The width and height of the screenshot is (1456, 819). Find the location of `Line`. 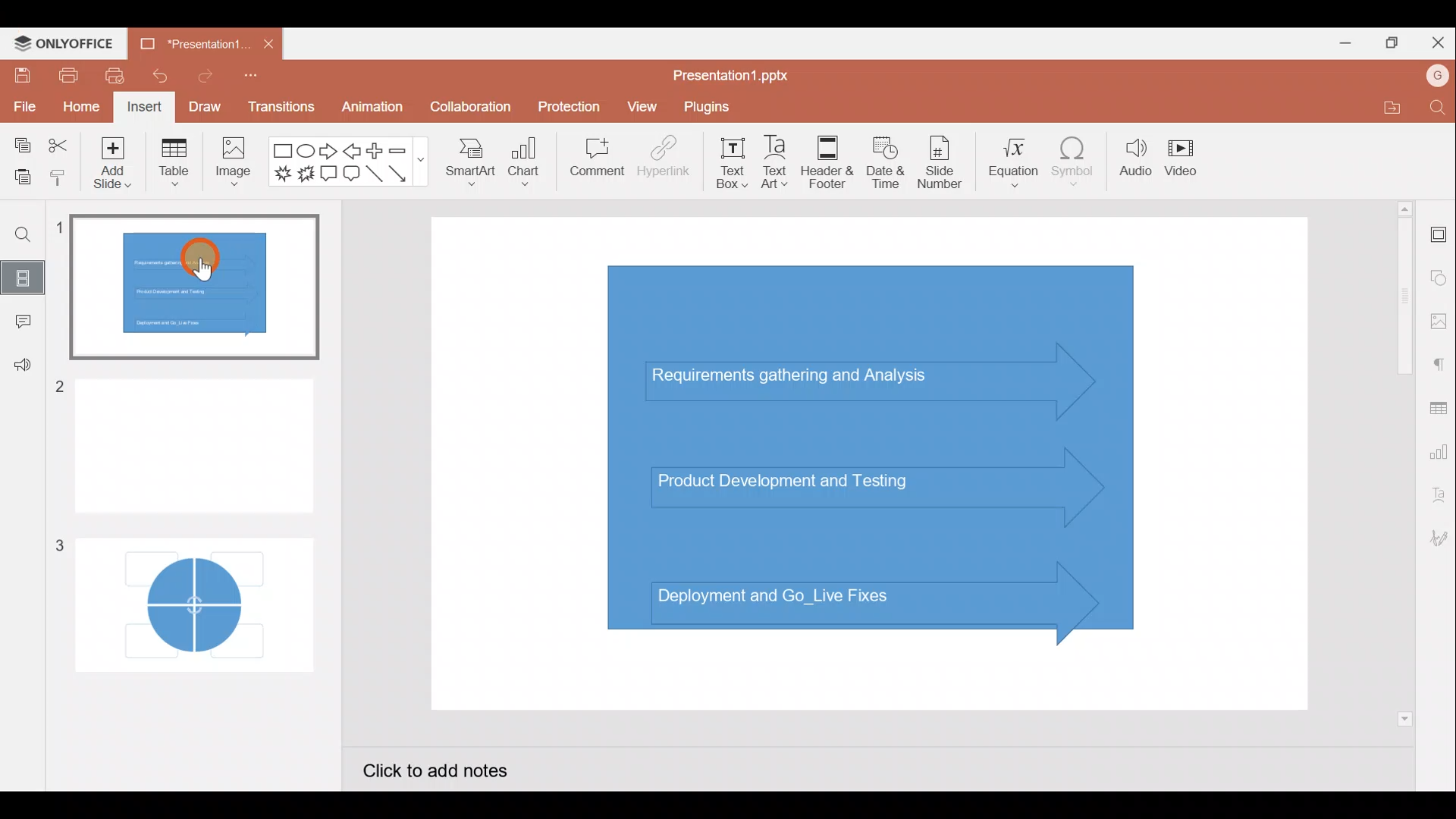

Line is located at coordinates (374, 174).